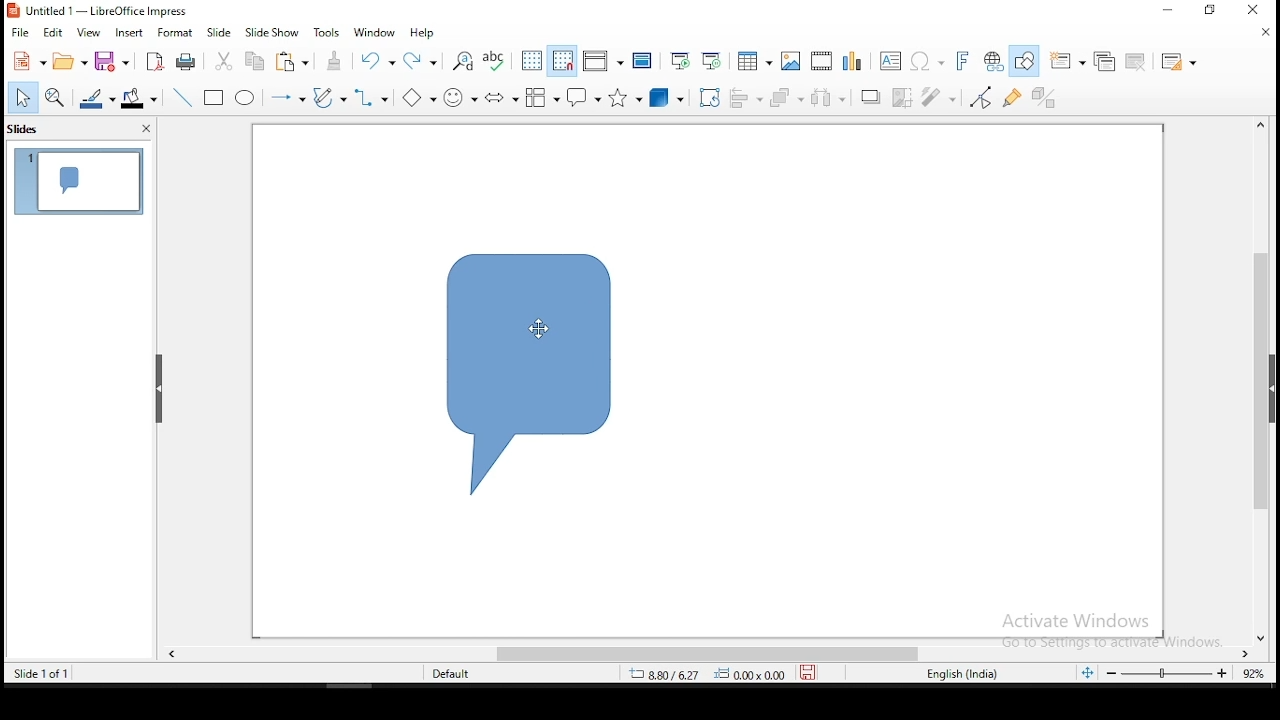 This screenshot has width=1280, height=720. I want to click on icon and file name, so click(102, 10).